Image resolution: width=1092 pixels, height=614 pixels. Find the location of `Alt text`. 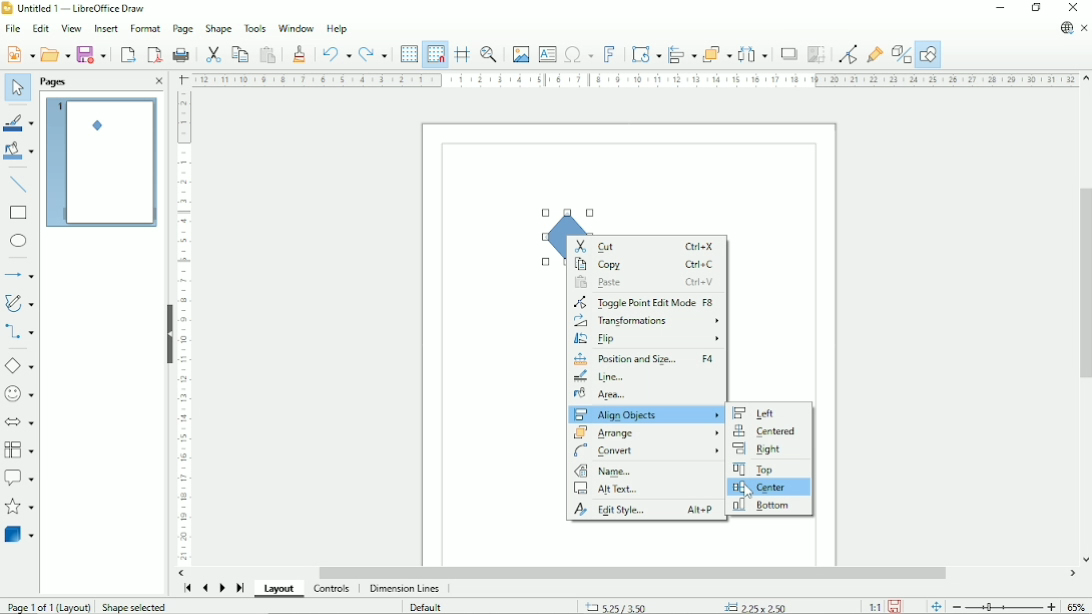

Alt text is located at coordinates (611, 489).